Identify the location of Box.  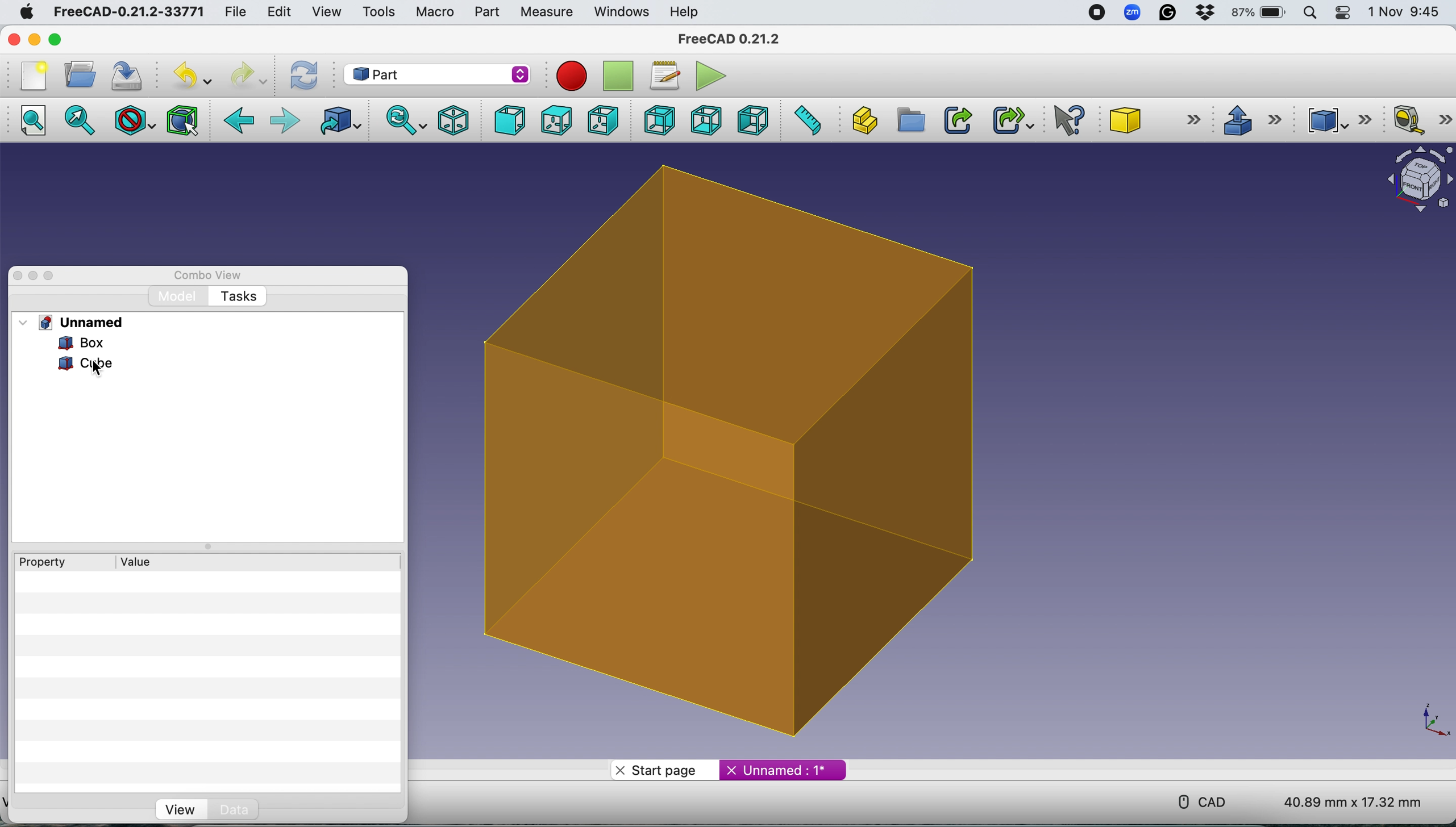
(70, 343).